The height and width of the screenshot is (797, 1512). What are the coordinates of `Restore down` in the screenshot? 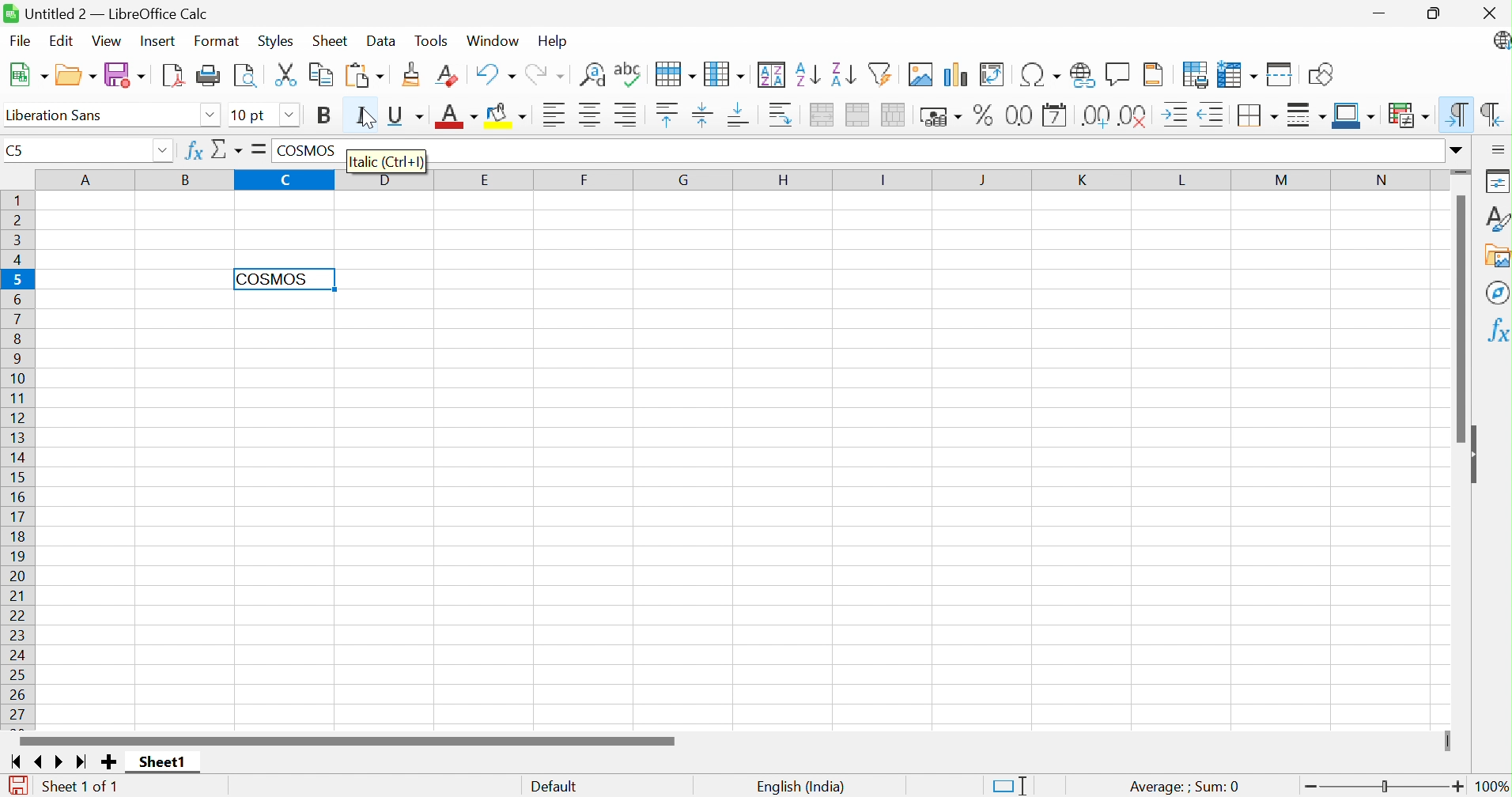 It's located at (1438, 14).